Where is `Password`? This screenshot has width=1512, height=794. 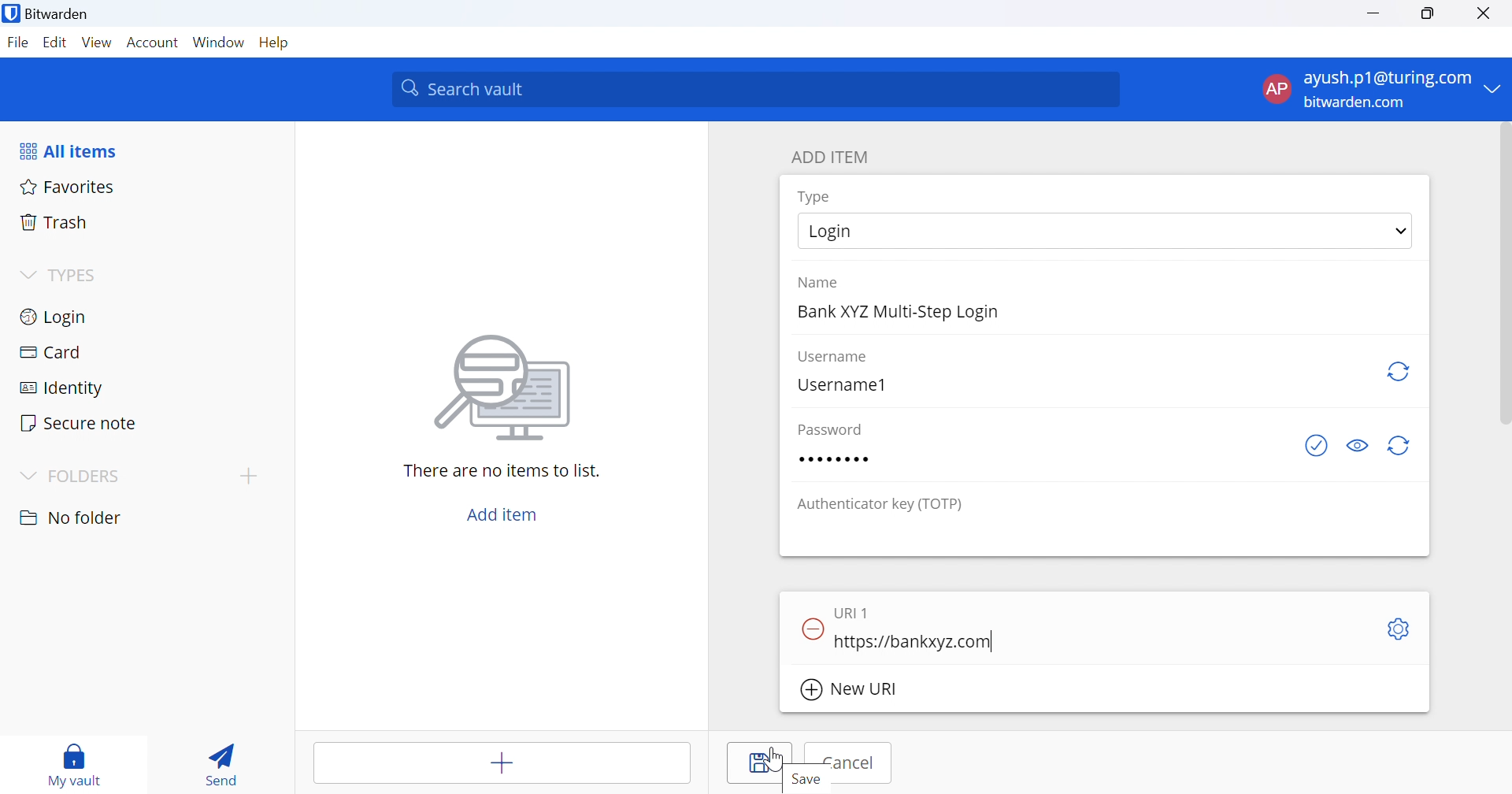
Password is located at coordinates (832, 460).